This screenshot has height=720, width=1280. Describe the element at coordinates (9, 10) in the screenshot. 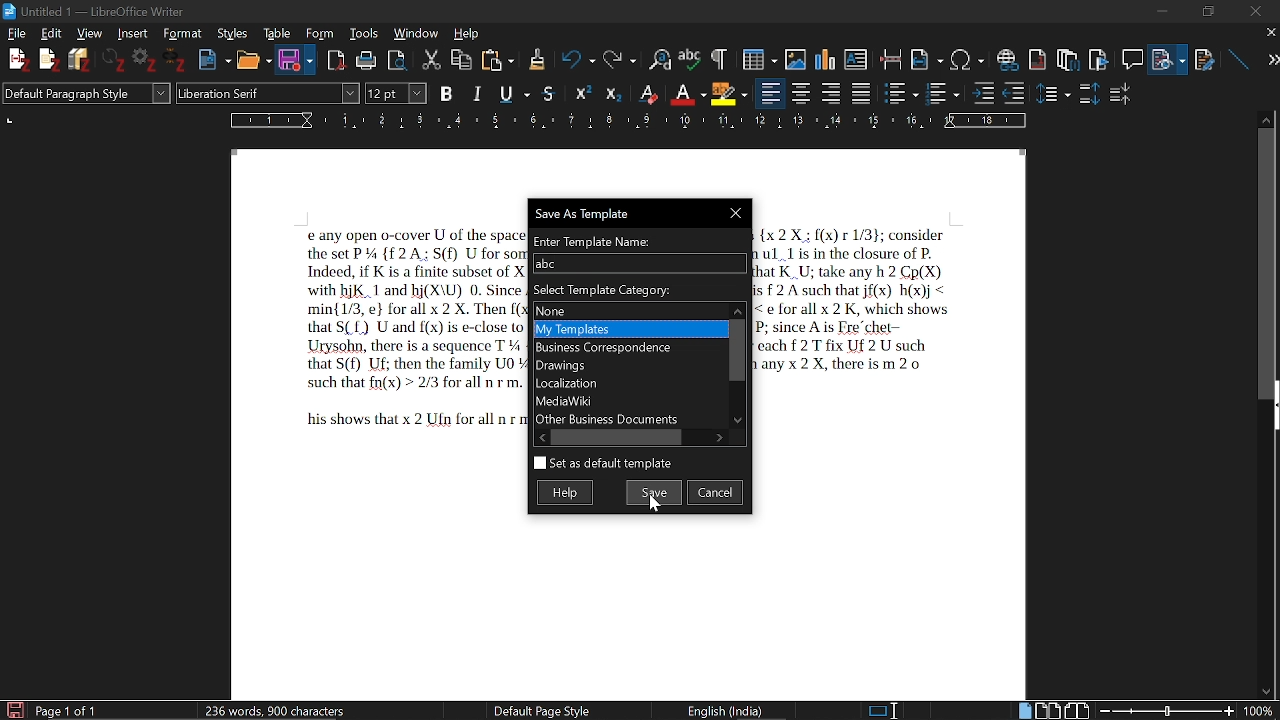

I see `LibewOffice Writer` at that location.